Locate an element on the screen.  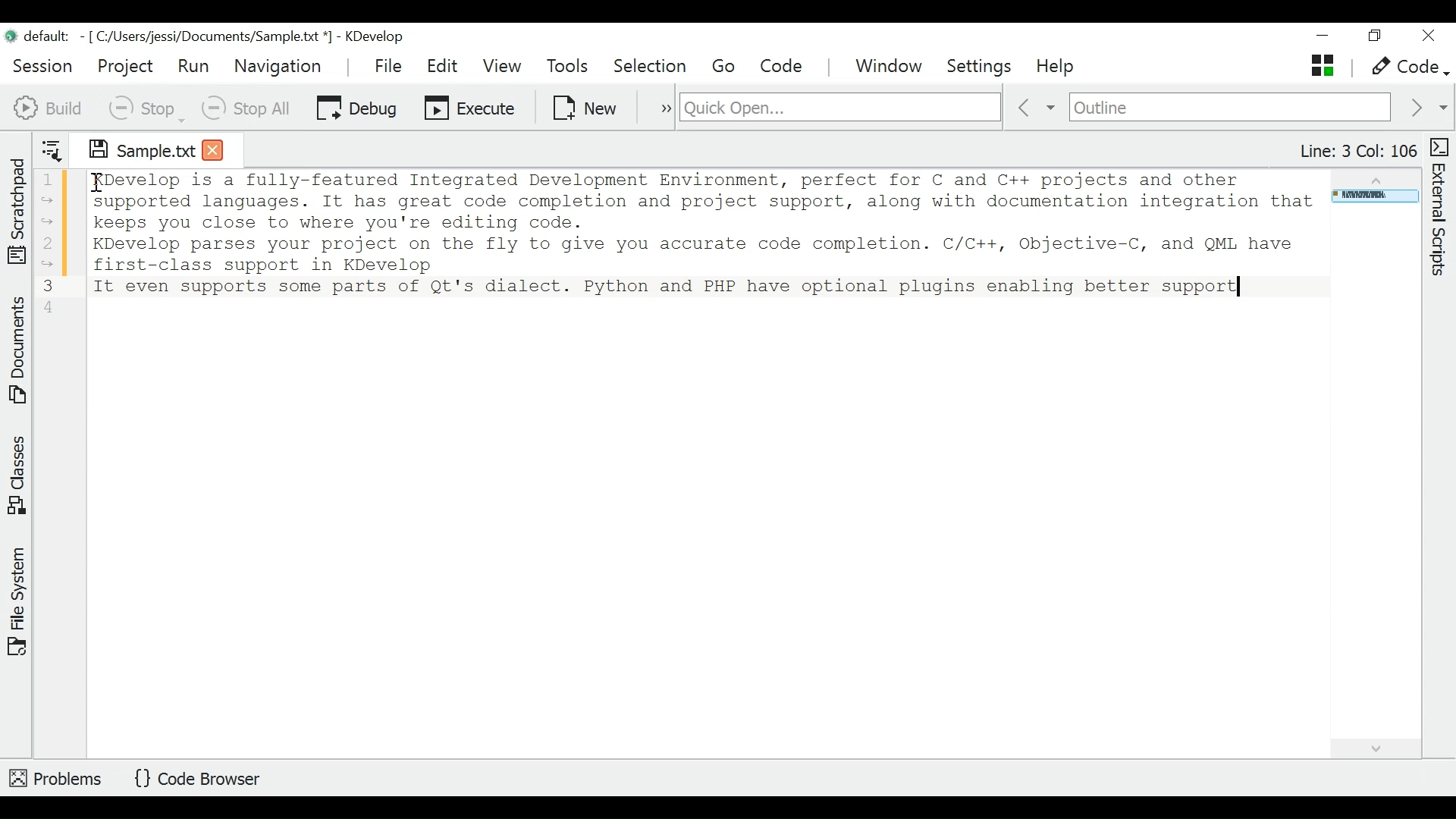
Help is located at coordinates (1057, 67).